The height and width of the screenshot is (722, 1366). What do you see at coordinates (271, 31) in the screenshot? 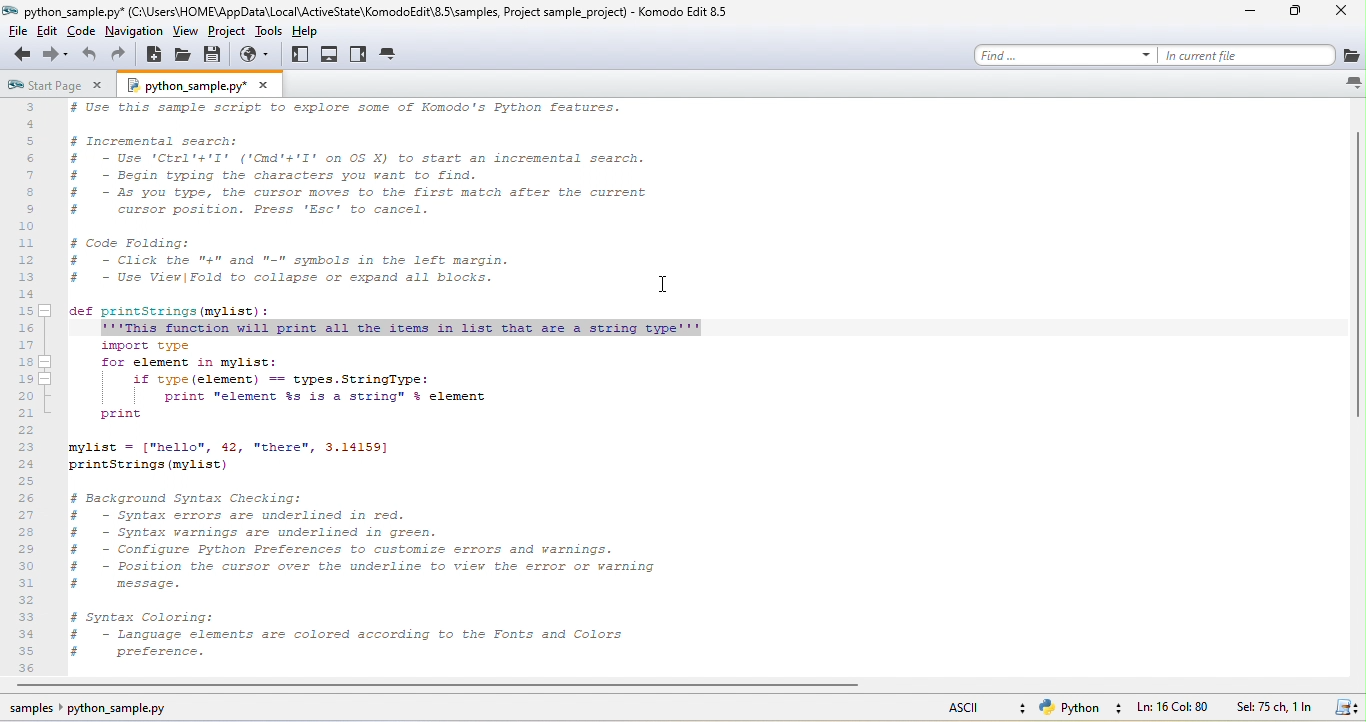
I see `tools` at bounding box center [271, 31].